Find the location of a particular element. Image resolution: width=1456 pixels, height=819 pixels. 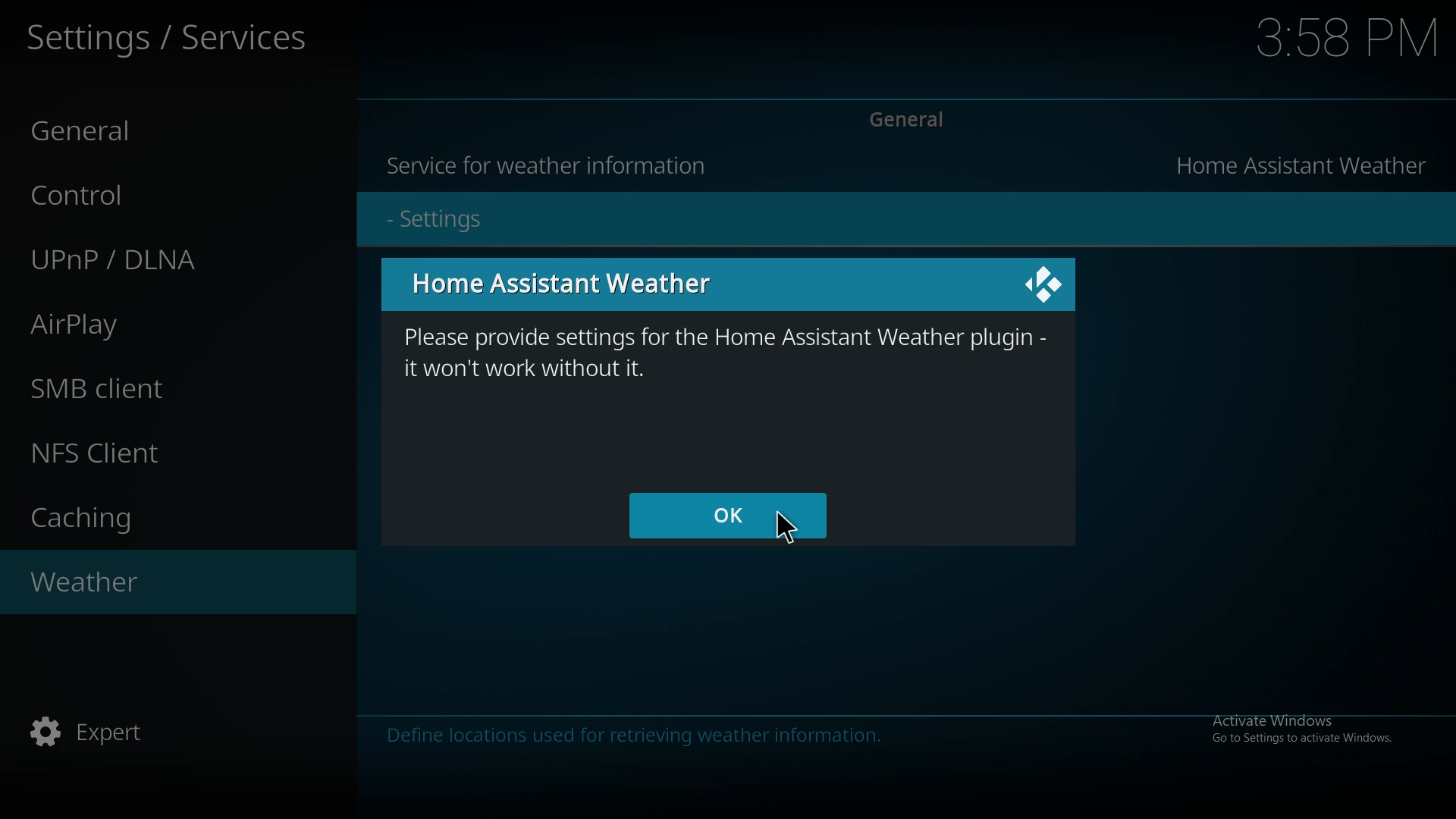

AirPlay is located at coordinates (110, 328).